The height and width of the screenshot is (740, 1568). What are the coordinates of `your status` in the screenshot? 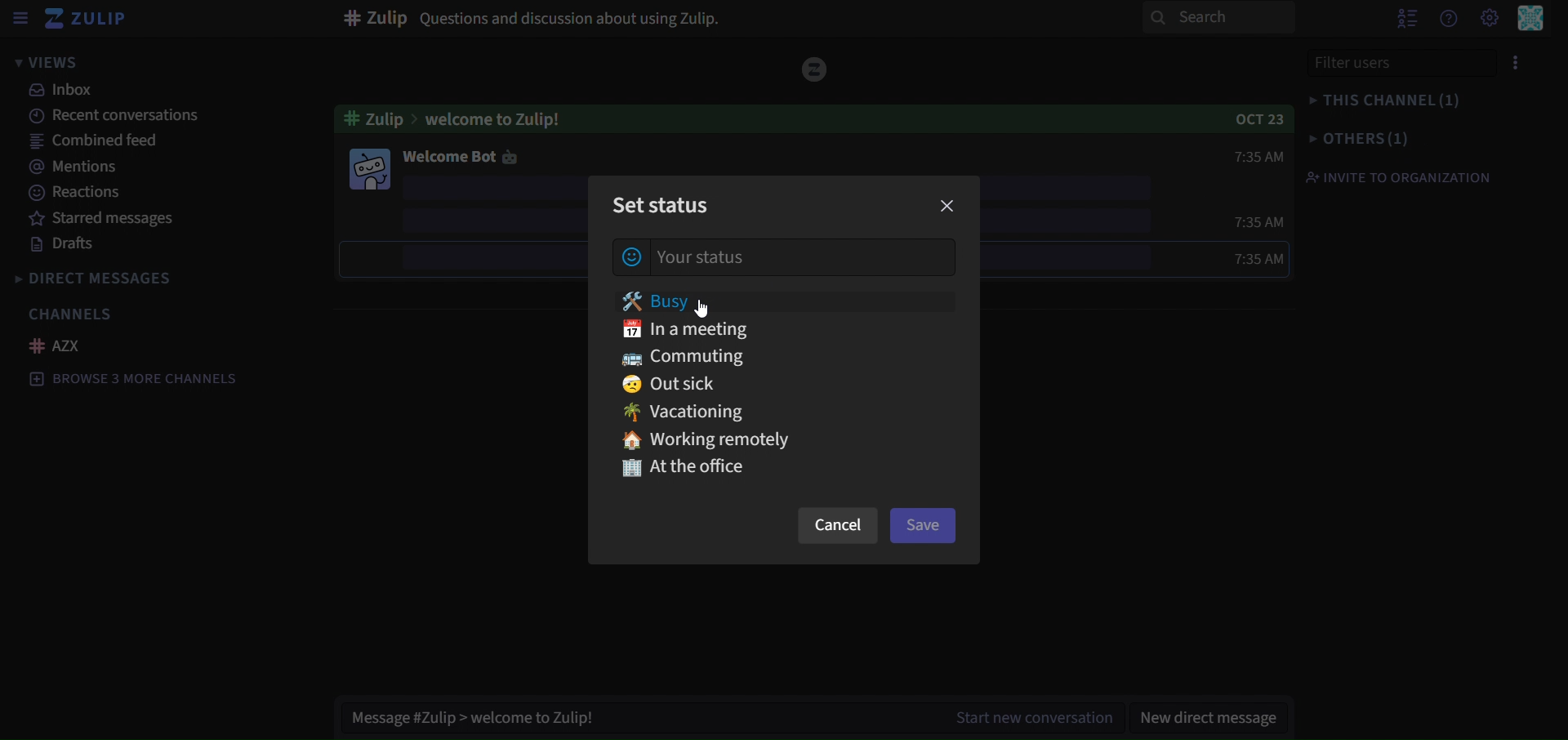 It's located at (750, 257).